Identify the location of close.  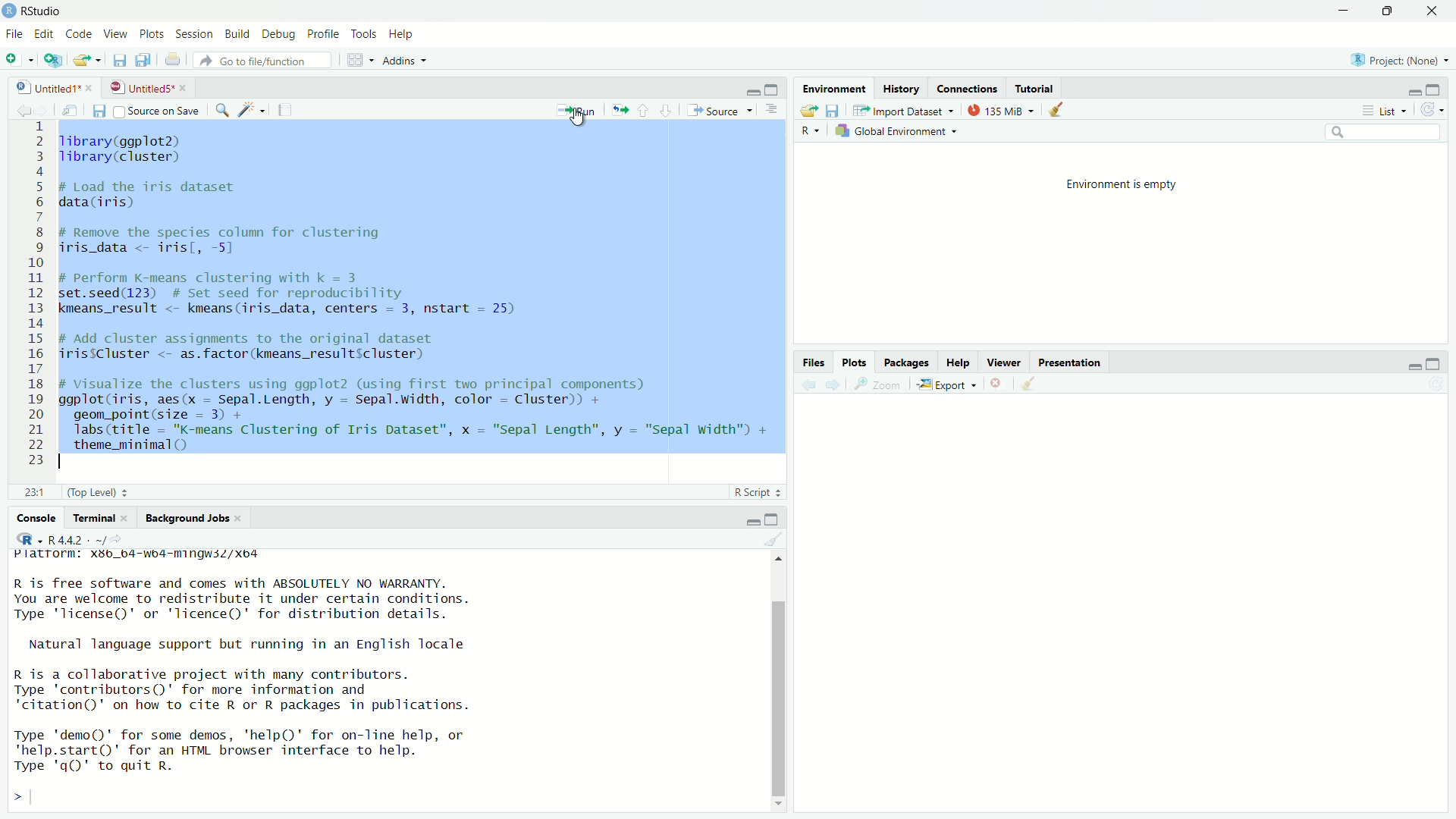
(130, 519).